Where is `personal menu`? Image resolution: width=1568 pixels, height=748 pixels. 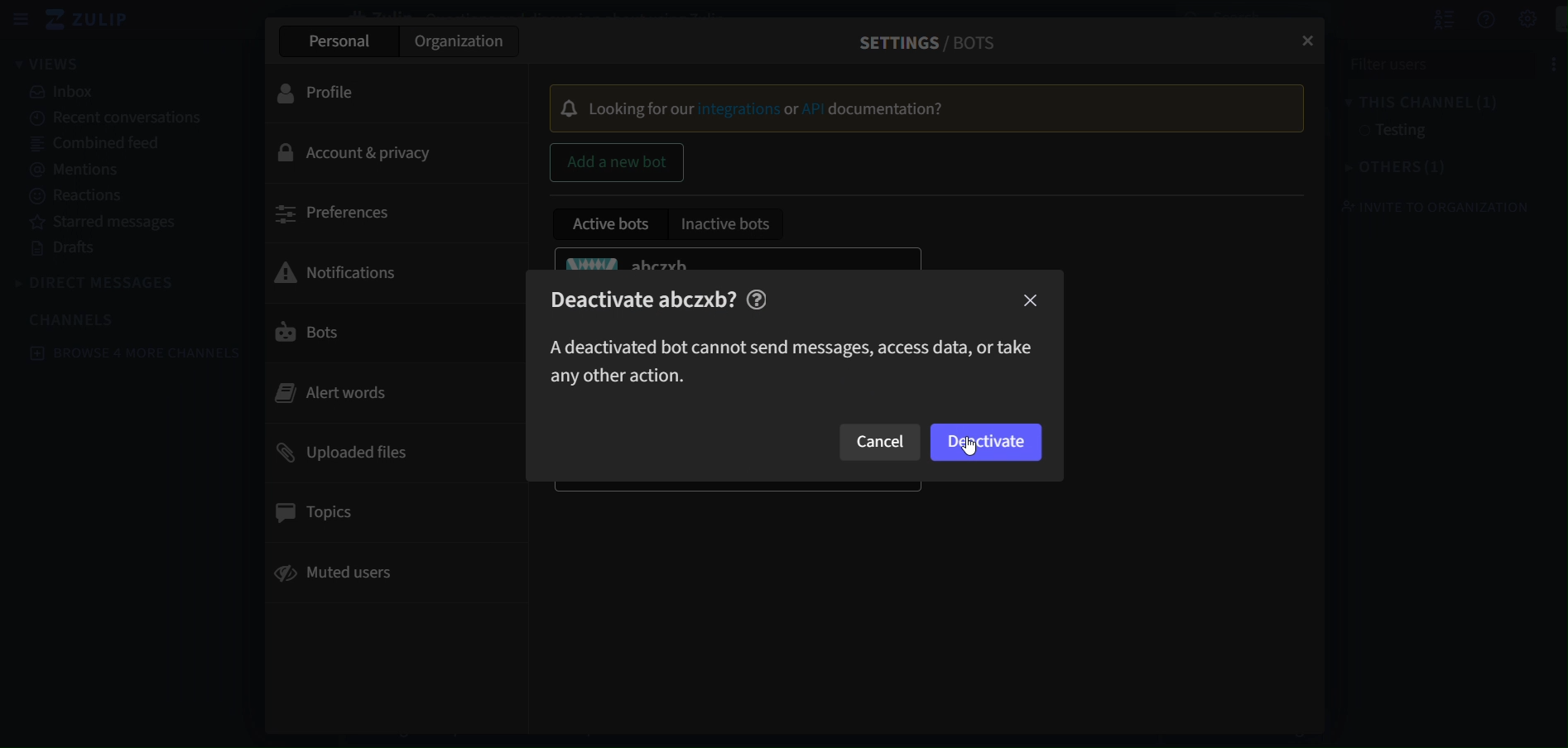 personal menu is located at coordinates (1551, 20).